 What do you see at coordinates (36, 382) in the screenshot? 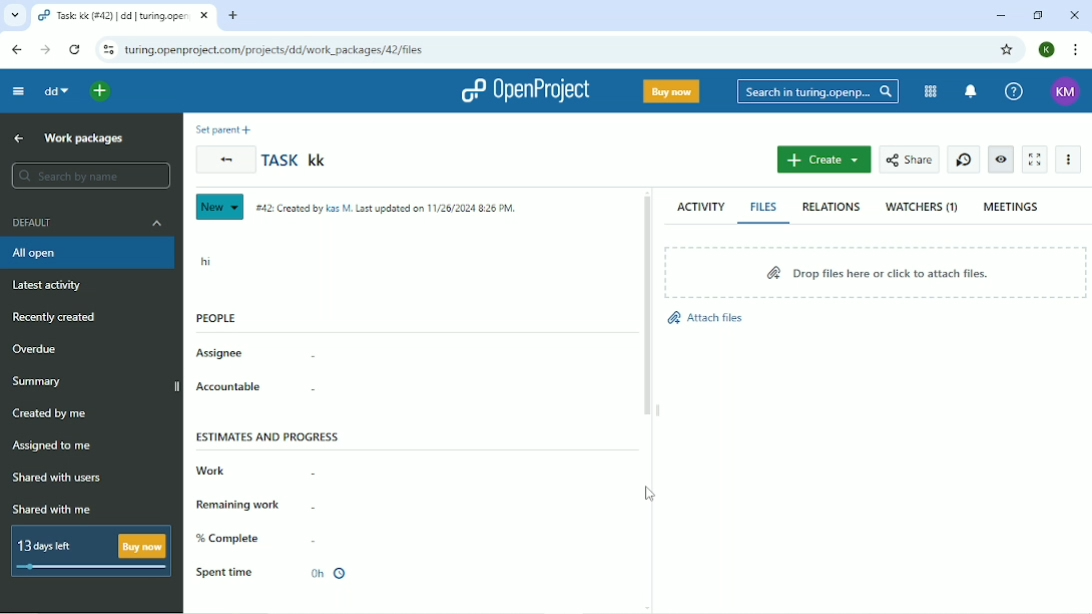
I see `Summary` at bounding box center [36, 382].